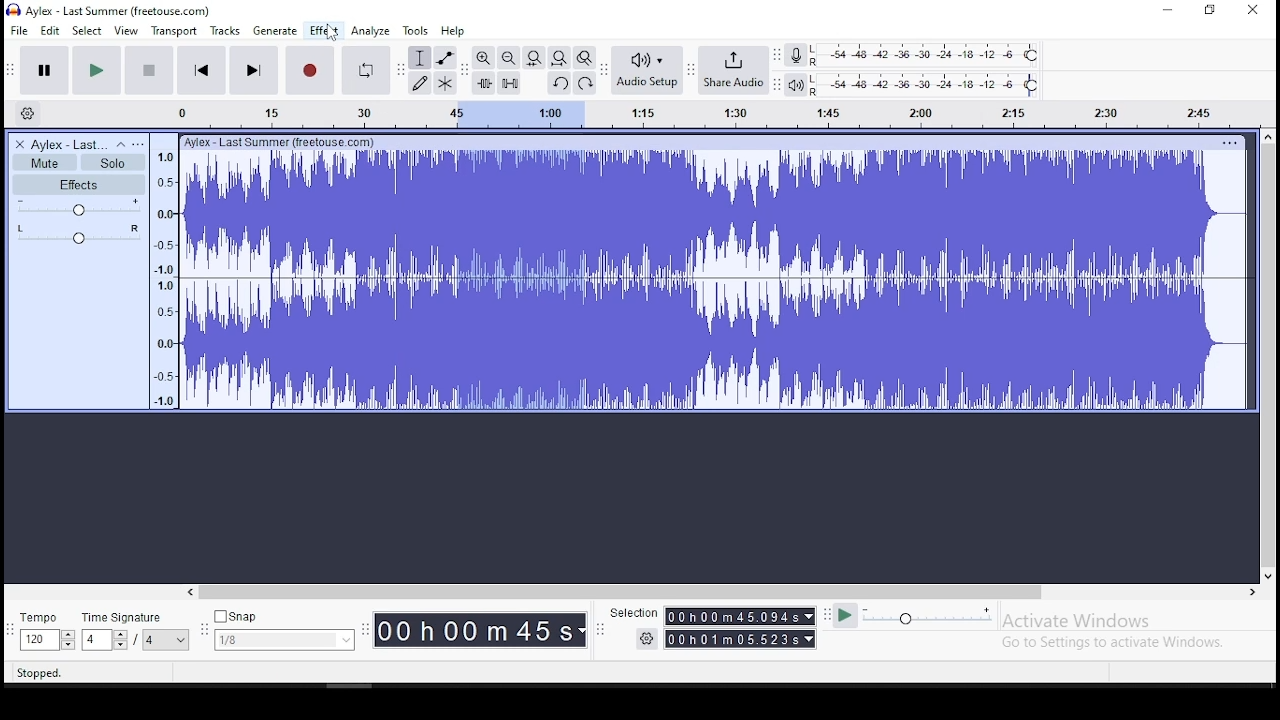  What do you see at coordinates (366, 70) in the screenshot?
I see `enable looping` at bounding box center [366, 70].